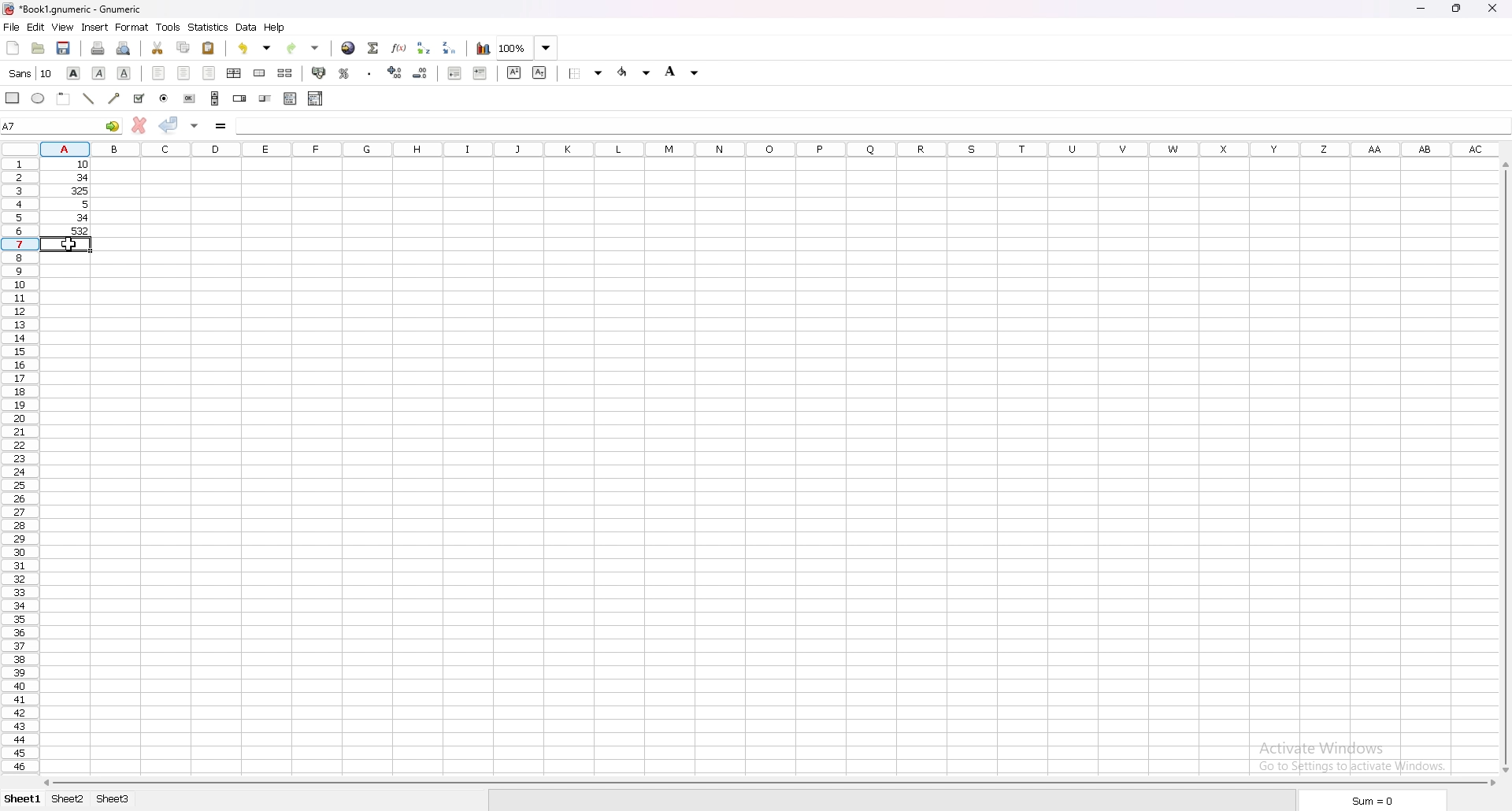 The width and height of the screenshot is (1512, 811). I want to click on statistics, so click(209, 27).